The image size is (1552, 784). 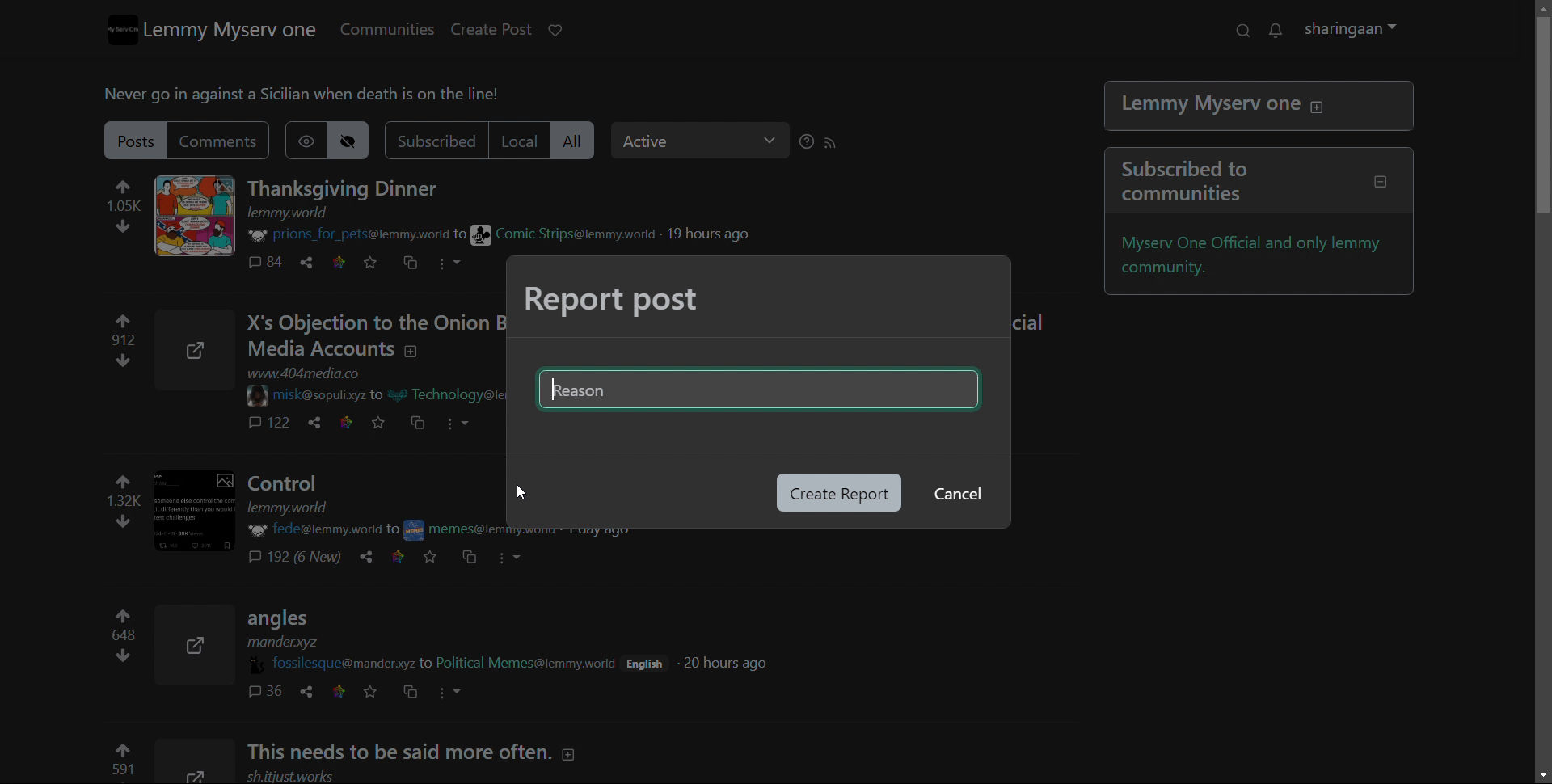 What do you see at coordinates (614, 301) in the screenshot?
I see `report post dialogbox` at bounding box center [614, 301].